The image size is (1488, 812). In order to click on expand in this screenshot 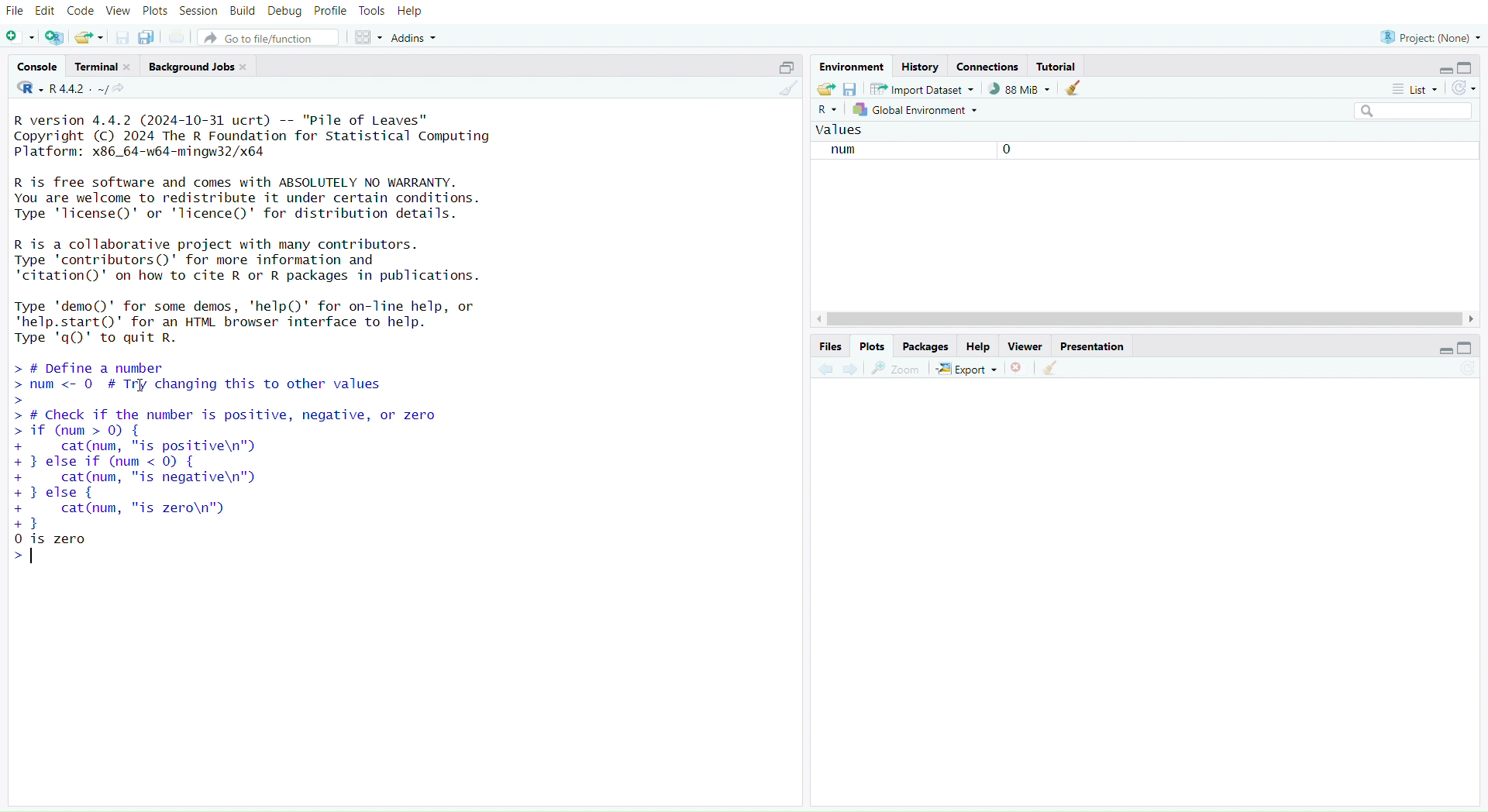, I will do `click(782, 67)`.